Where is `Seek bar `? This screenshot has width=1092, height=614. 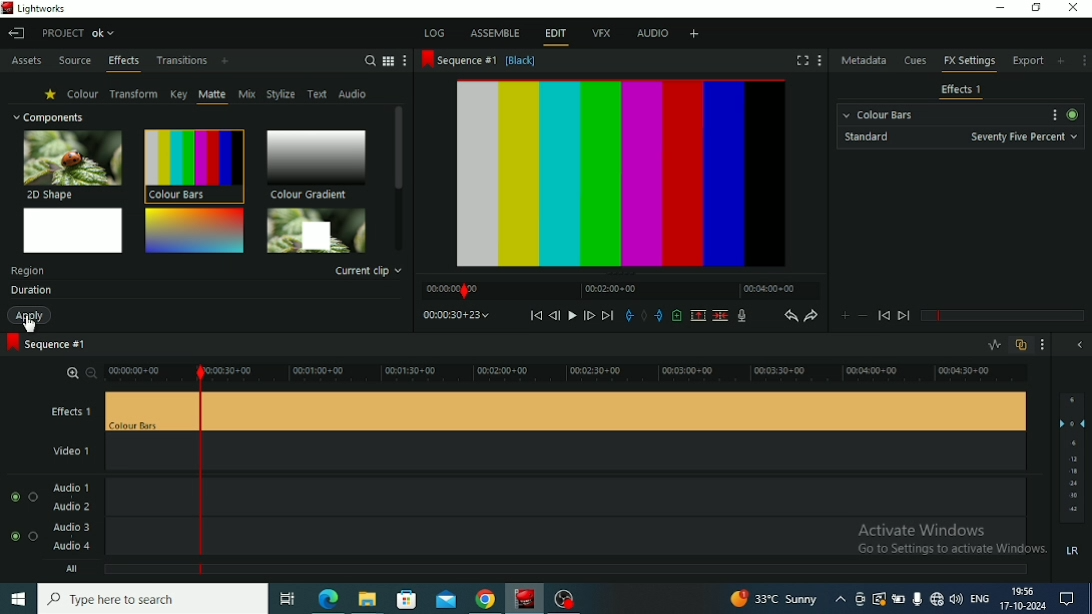
Seek bar  is located at coordinates (198, 468).